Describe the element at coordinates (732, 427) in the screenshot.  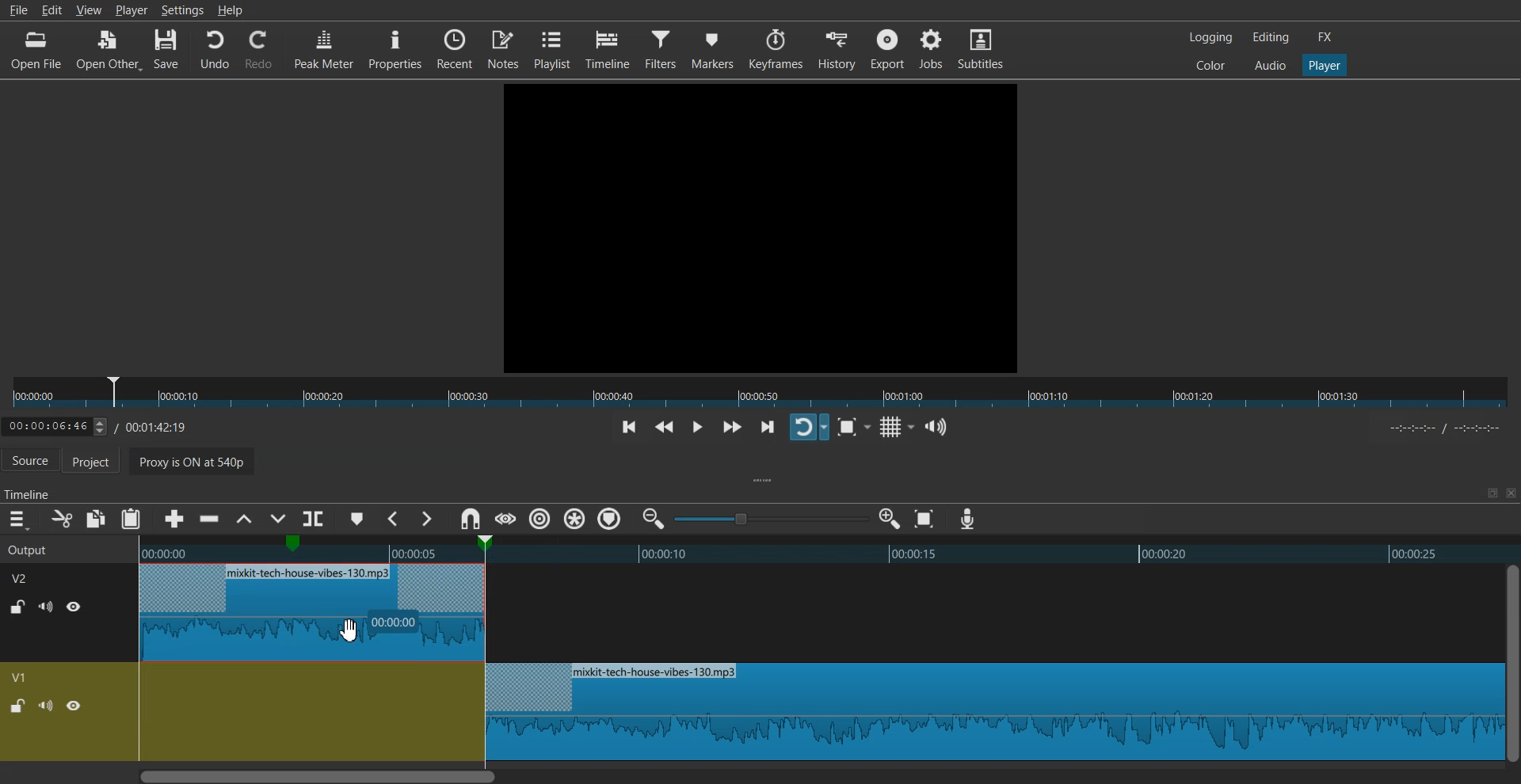
I see `Play quickly forwards` at that location.